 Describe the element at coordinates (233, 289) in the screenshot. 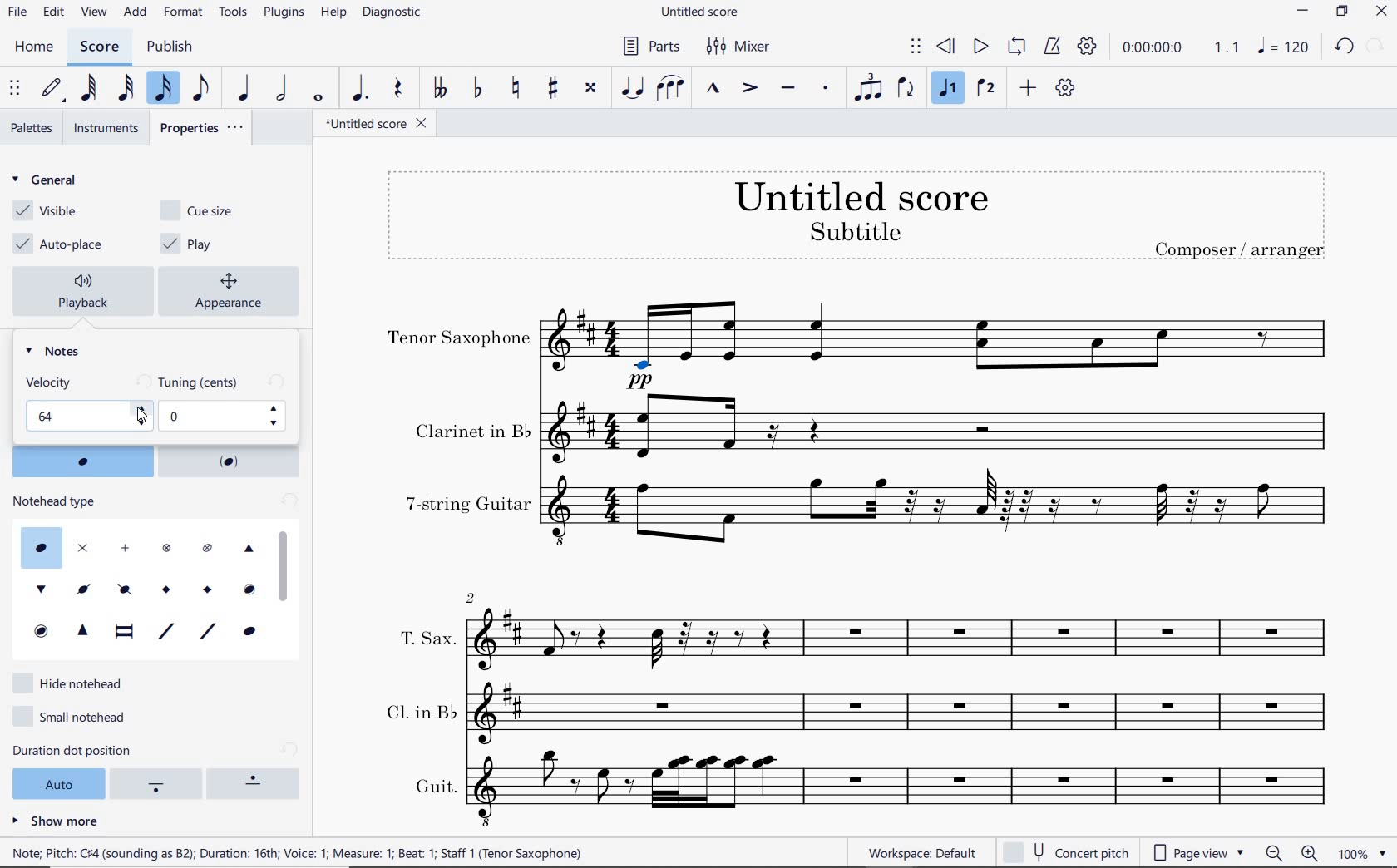

I see `appearance` at that location.